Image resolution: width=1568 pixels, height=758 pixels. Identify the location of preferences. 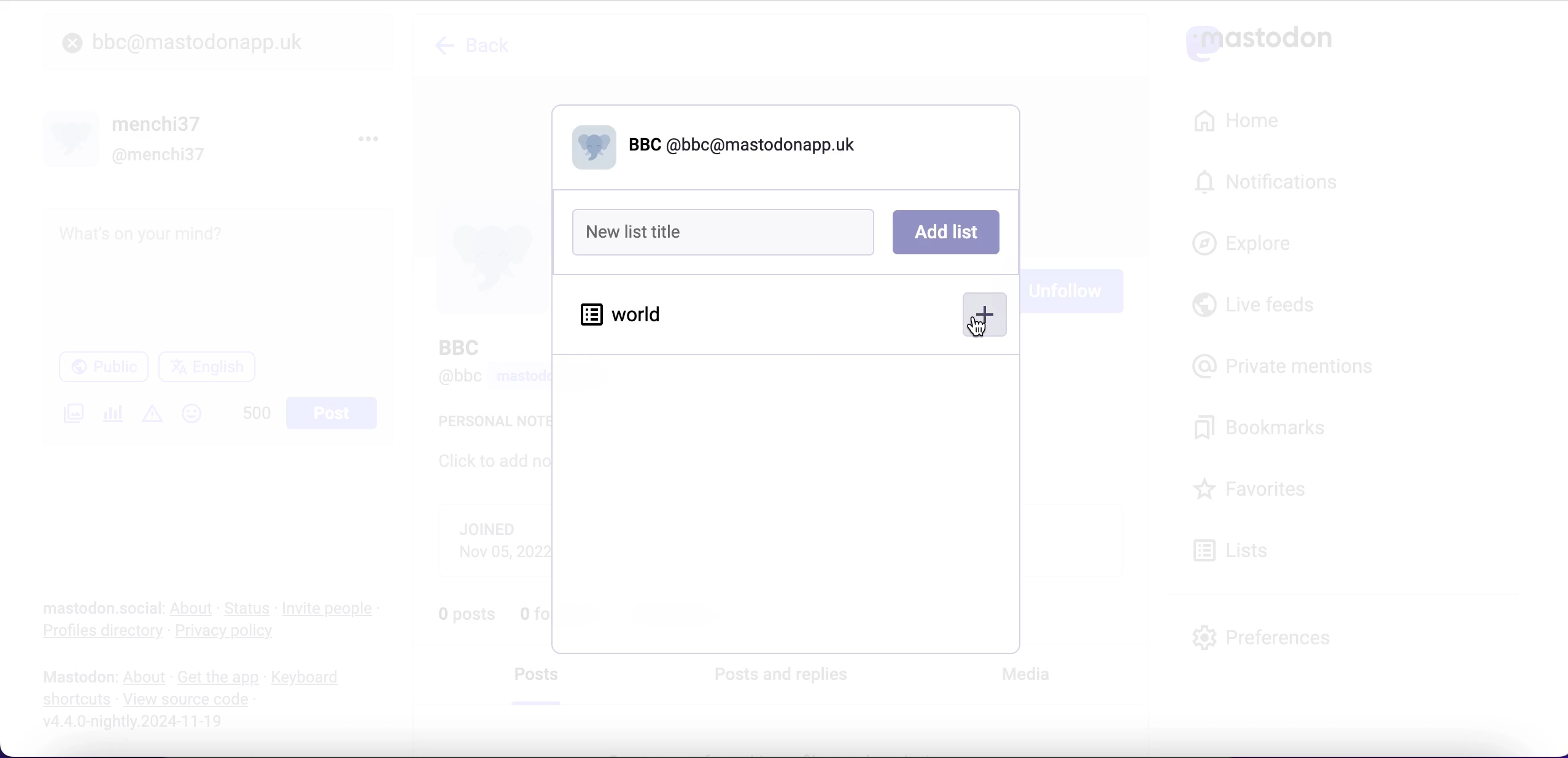
(1262, 637).